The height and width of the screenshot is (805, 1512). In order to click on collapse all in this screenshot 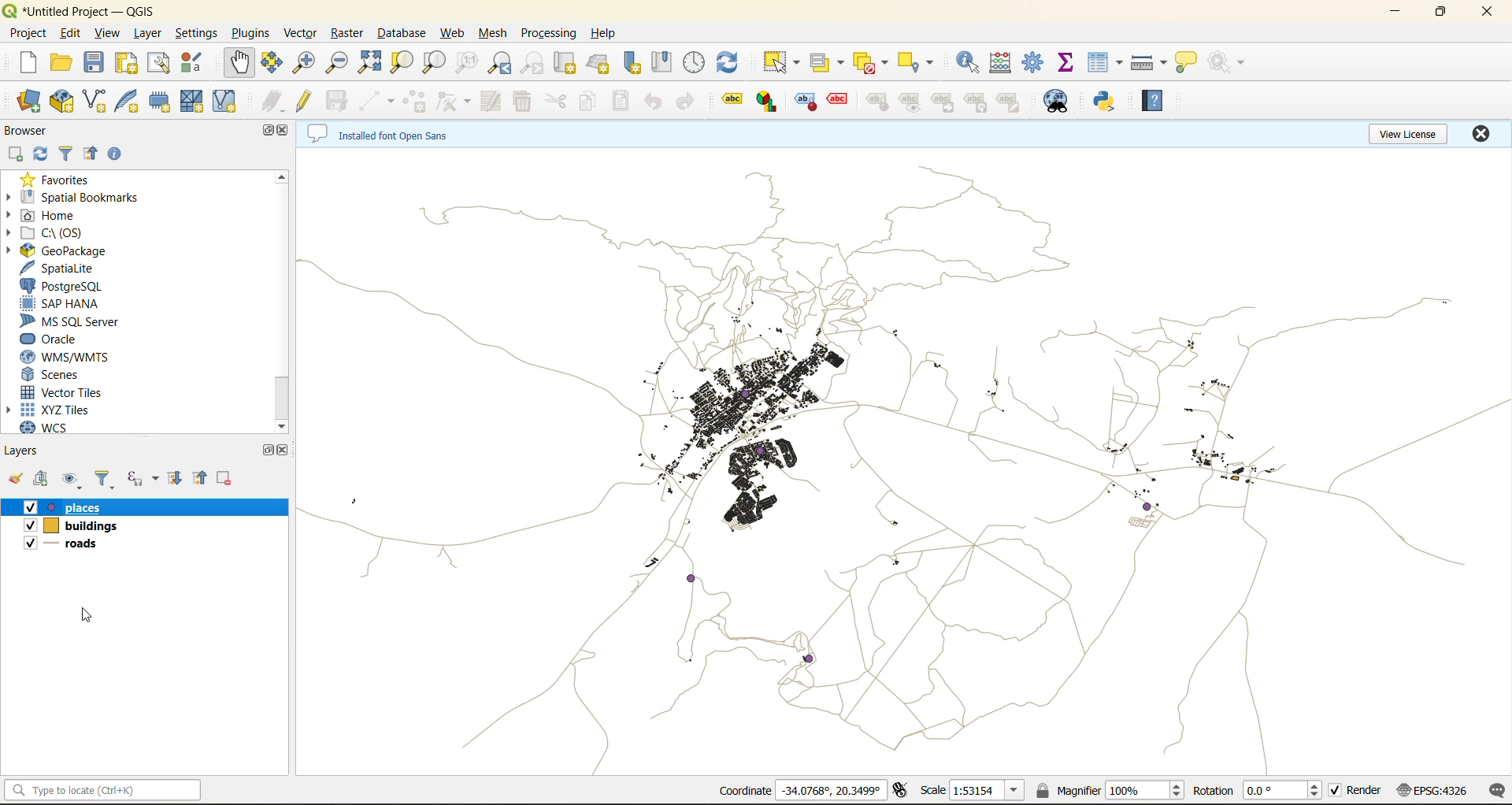, I will do `click(202, 478)`.